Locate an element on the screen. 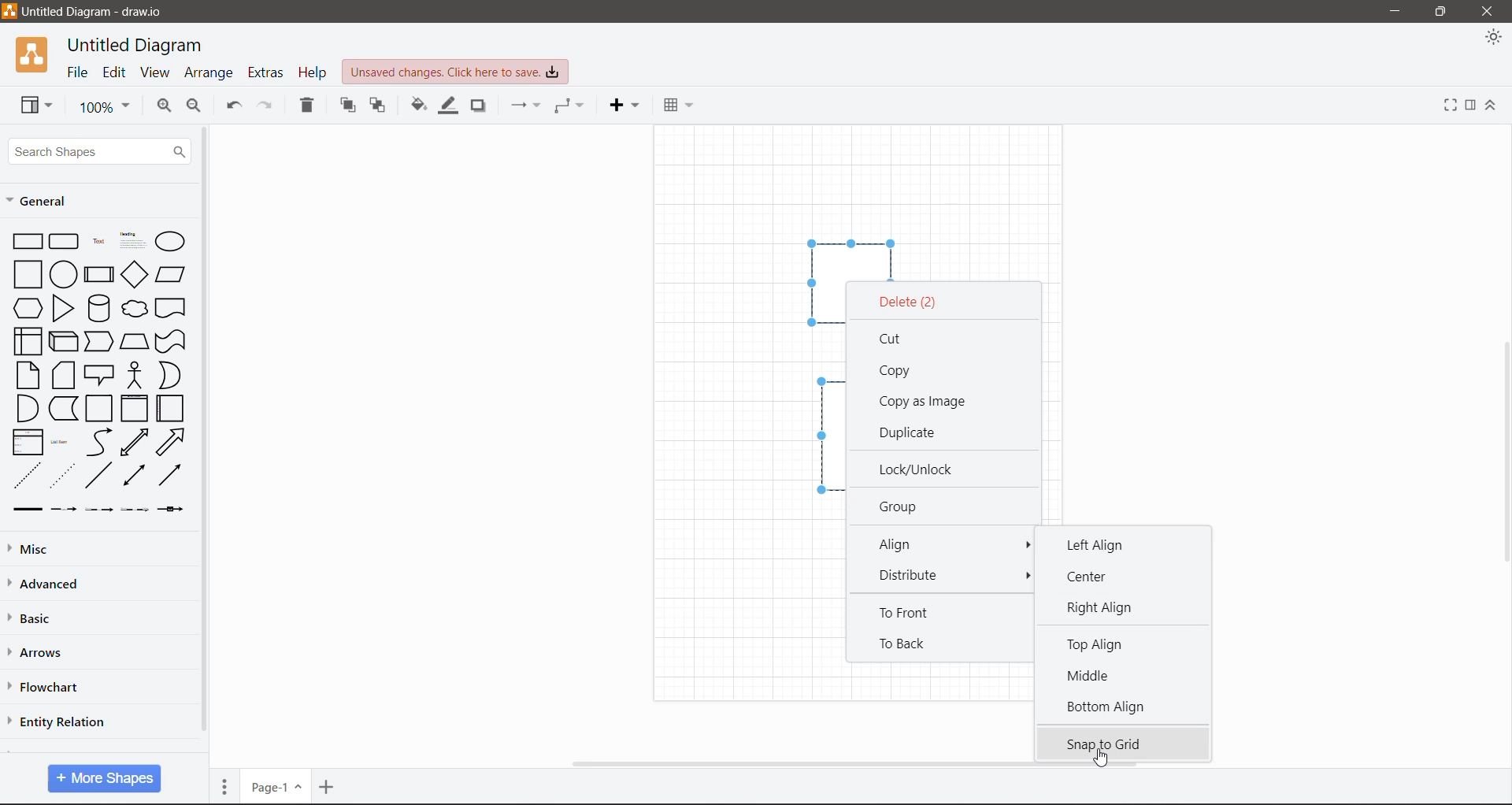 This screenshot has width=1512, height=805. Connection is located at coordinates (527, 106).